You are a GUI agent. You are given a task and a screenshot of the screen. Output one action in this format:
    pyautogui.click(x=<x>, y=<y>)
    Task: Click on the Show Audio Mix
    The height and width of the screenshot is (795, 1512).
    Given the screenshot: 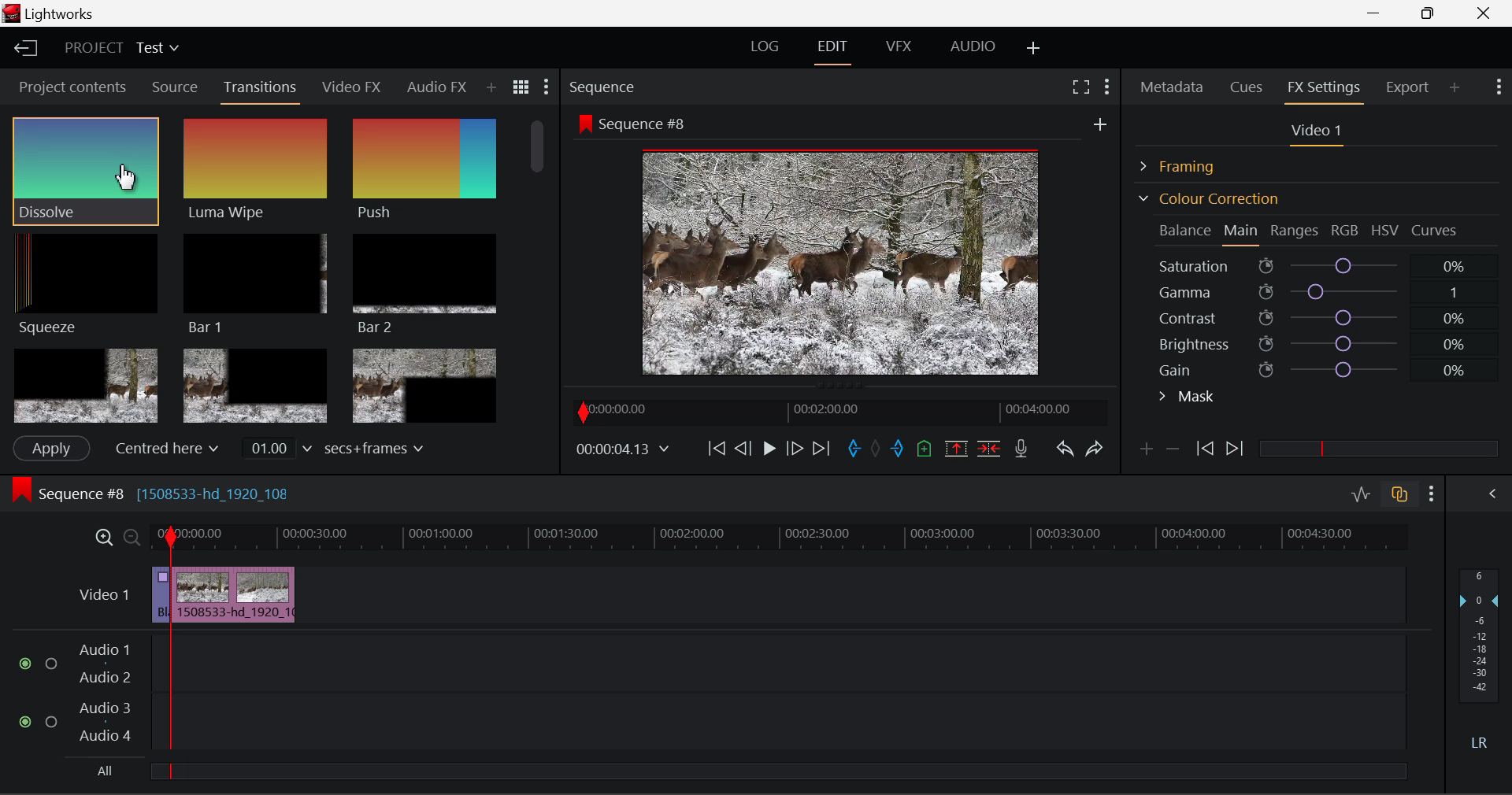 What is the action you would take?
    pyautogui.click(x=1494, y=492)
    